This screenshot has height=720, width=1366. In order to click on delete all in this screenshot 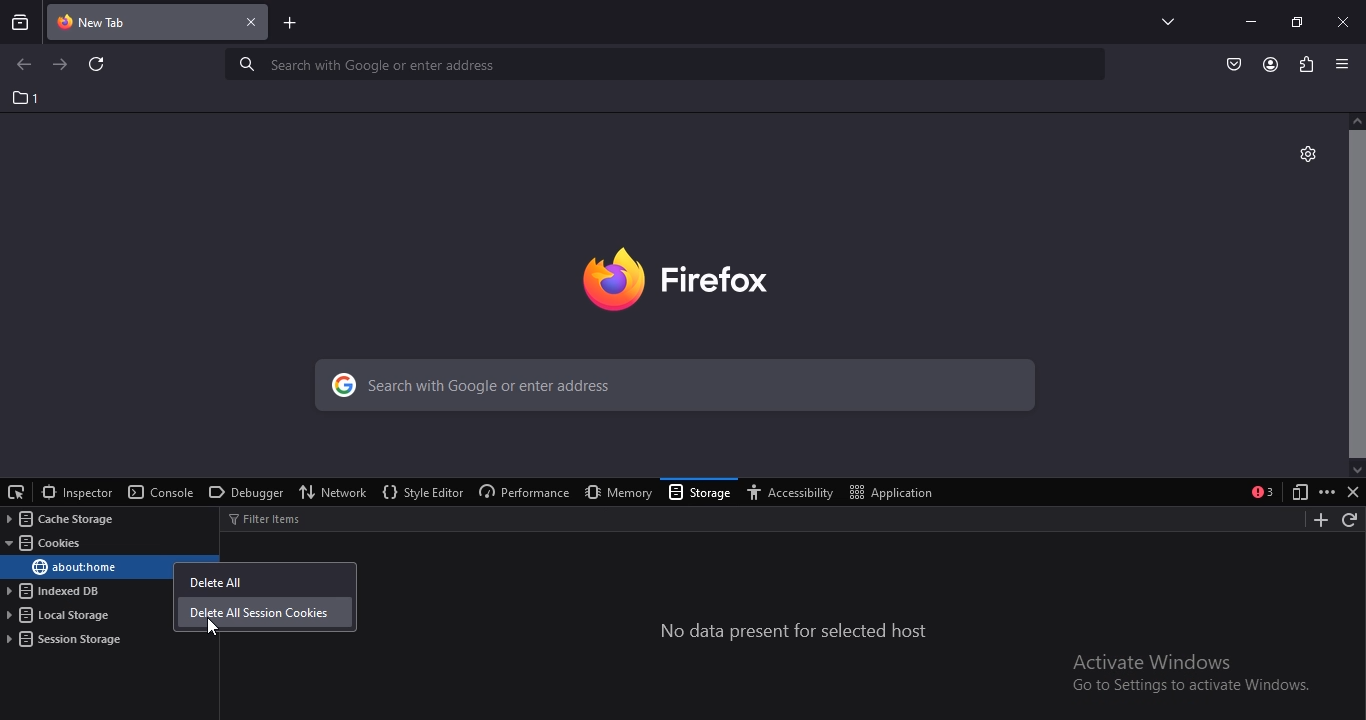, I will do `click(217, 577)`.